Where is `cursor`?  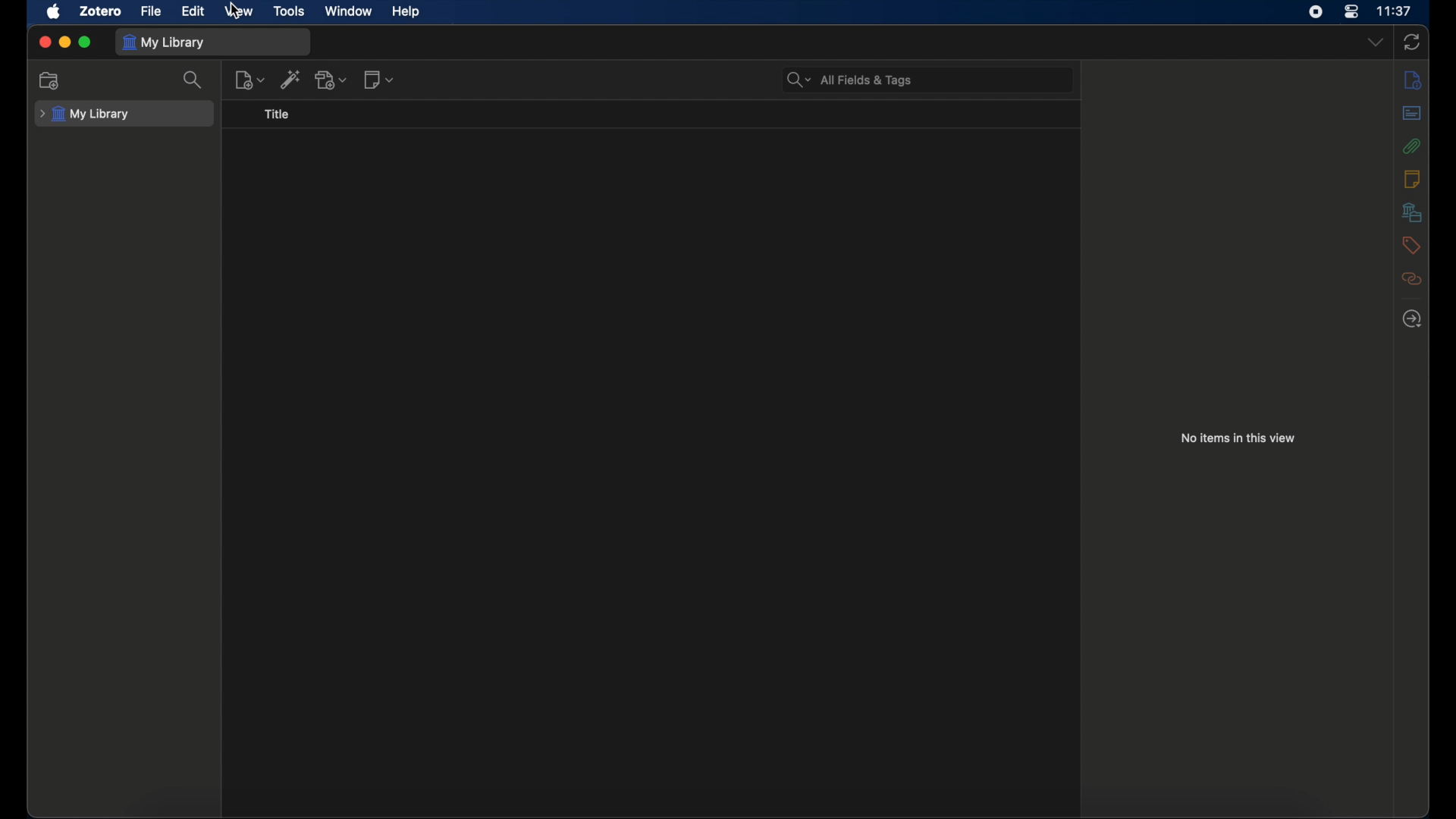 cursor is located at coordinates (236, 14).